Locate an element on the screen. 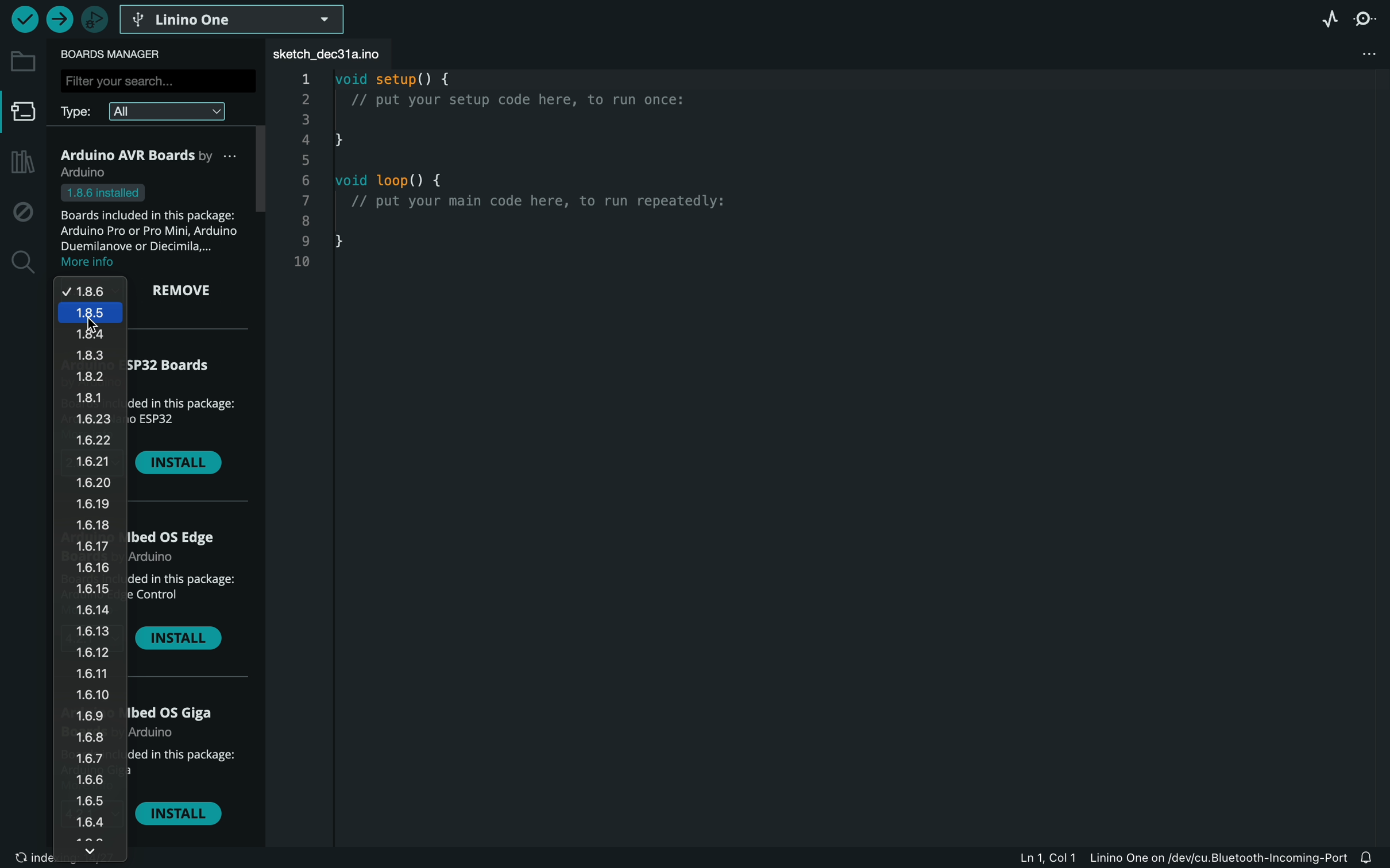  board manager is located at coordinates (118, 54).